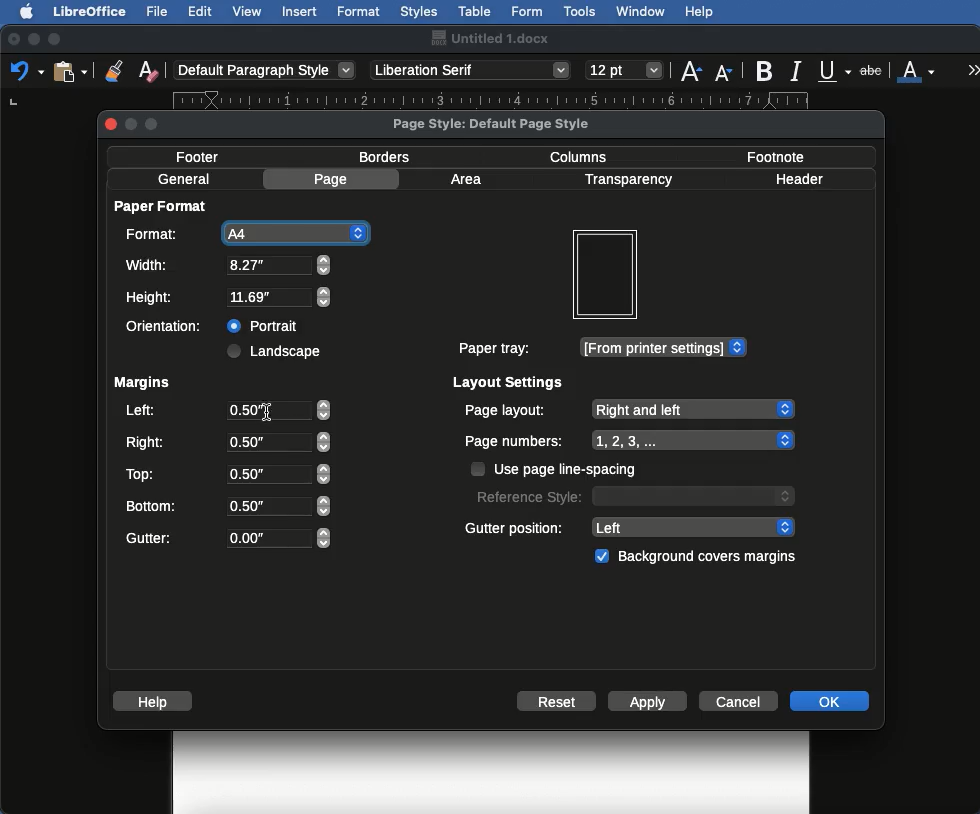 The width and height of the screenshot is (980, 814). Describe the element at coordinates (300, 11) in the screenshot. I see `Insert` at that location.